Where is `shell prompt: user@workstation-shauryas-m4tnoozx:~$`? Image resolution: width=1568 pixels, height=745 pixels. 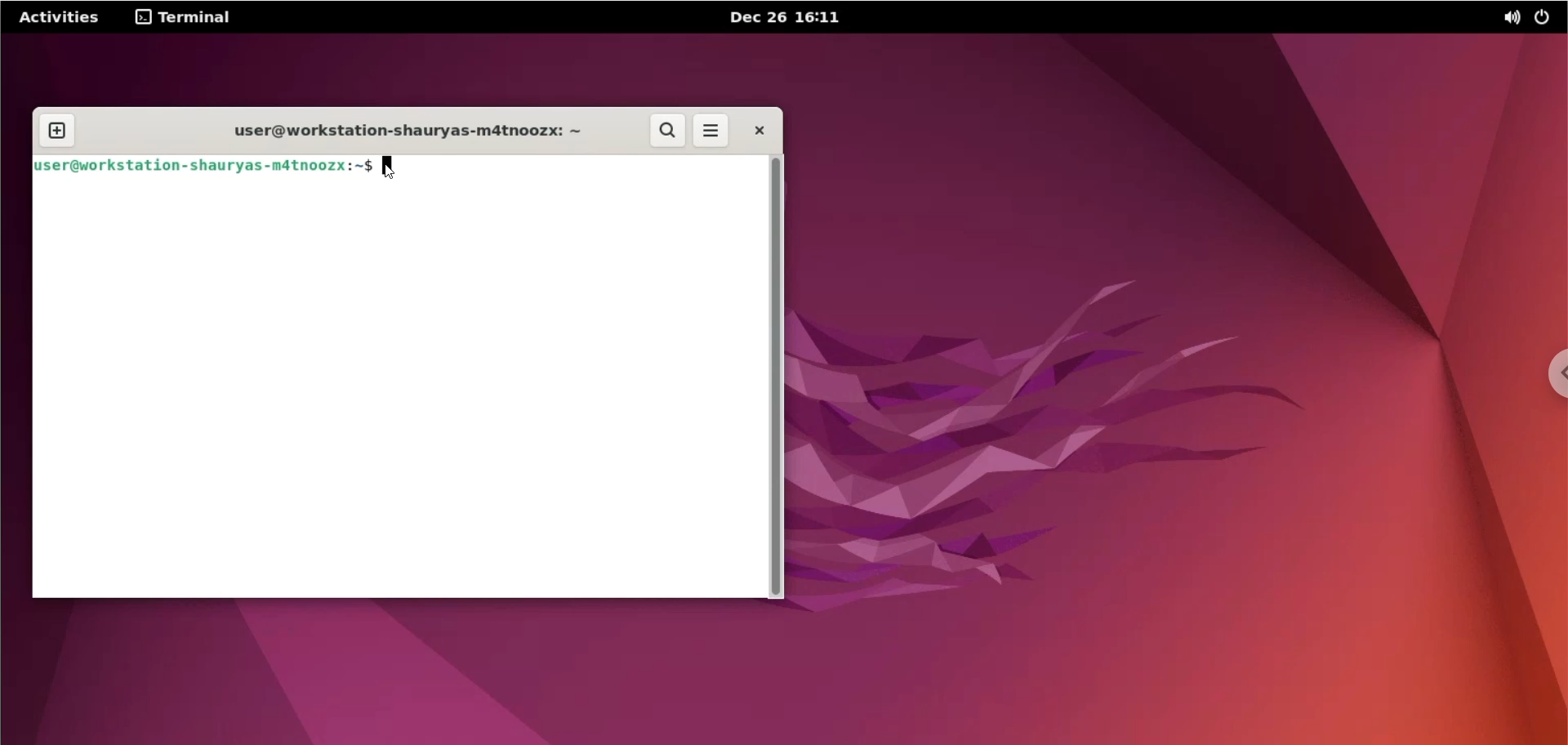
shell prompt: user@workstation-shauryas-m4tnoozx:~$ is located at coordinates (205, 167).